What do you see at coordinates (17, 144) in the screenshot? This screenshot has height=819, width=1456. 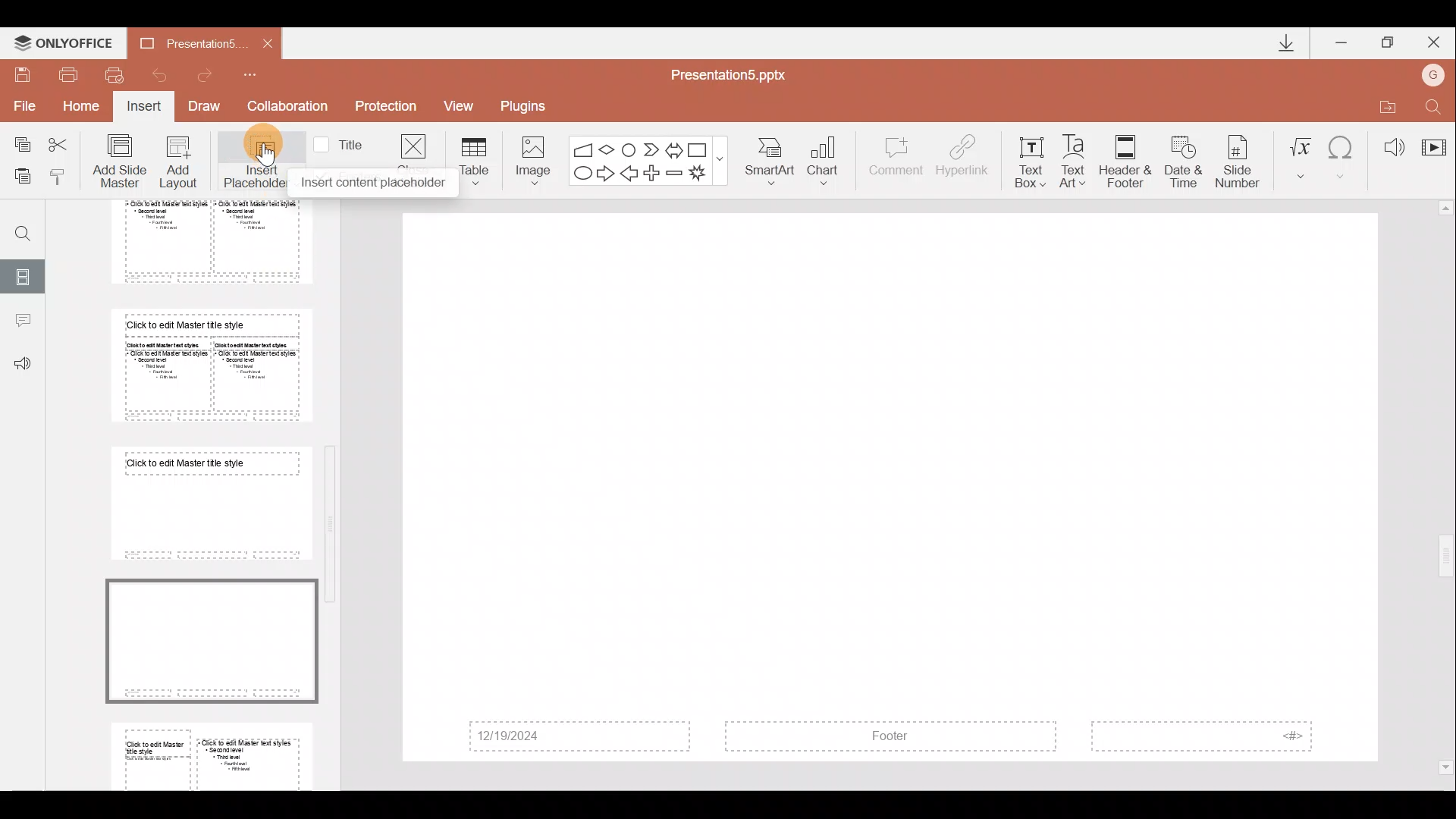 I see `Copy` at bounding box center [17, 144].